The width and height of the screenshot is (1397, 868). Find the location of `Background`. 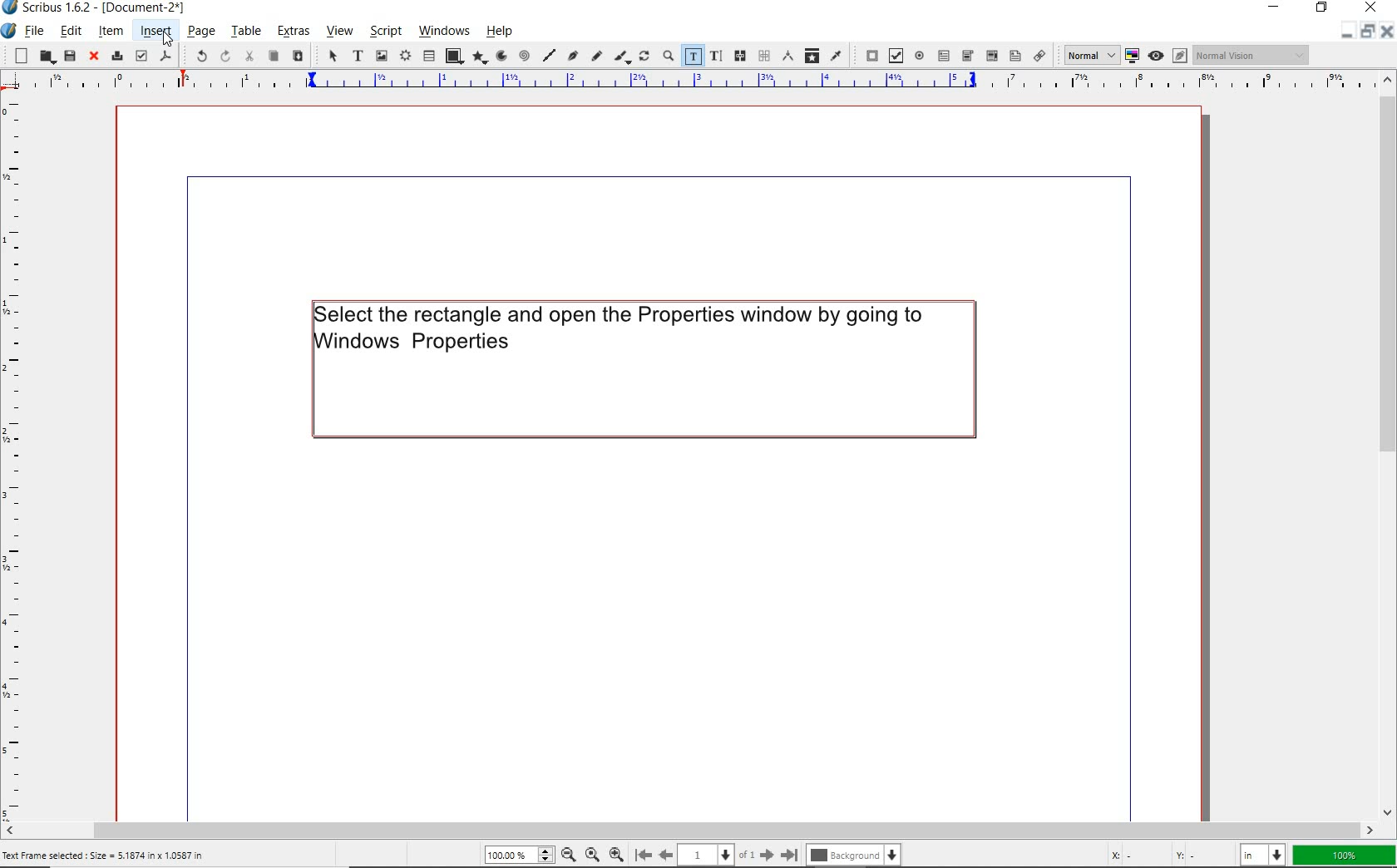

Background is located at coordinates (856, 853).